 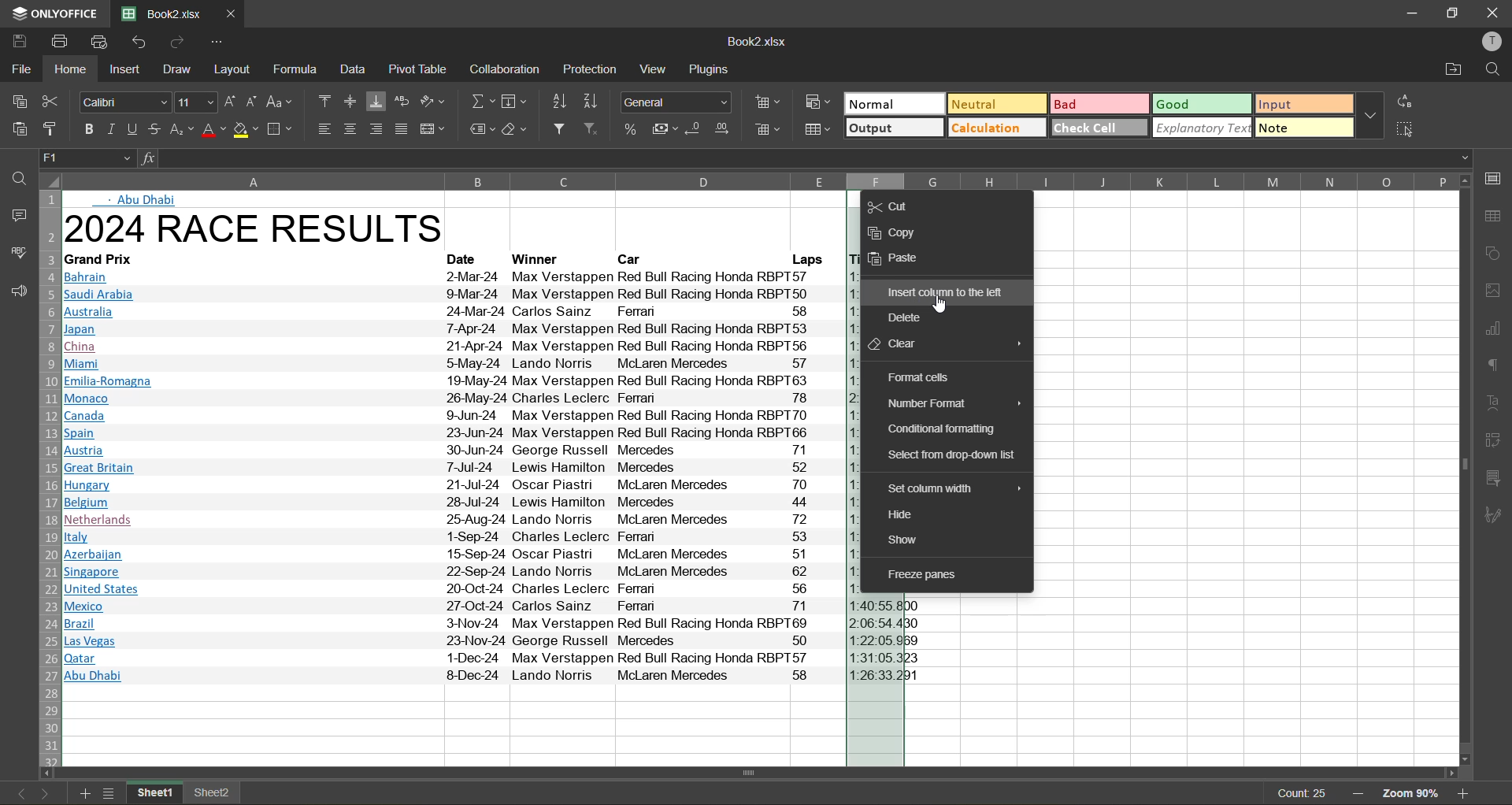 I want to click on 2024 RACE RESULTS, so click(x=258, y=229).